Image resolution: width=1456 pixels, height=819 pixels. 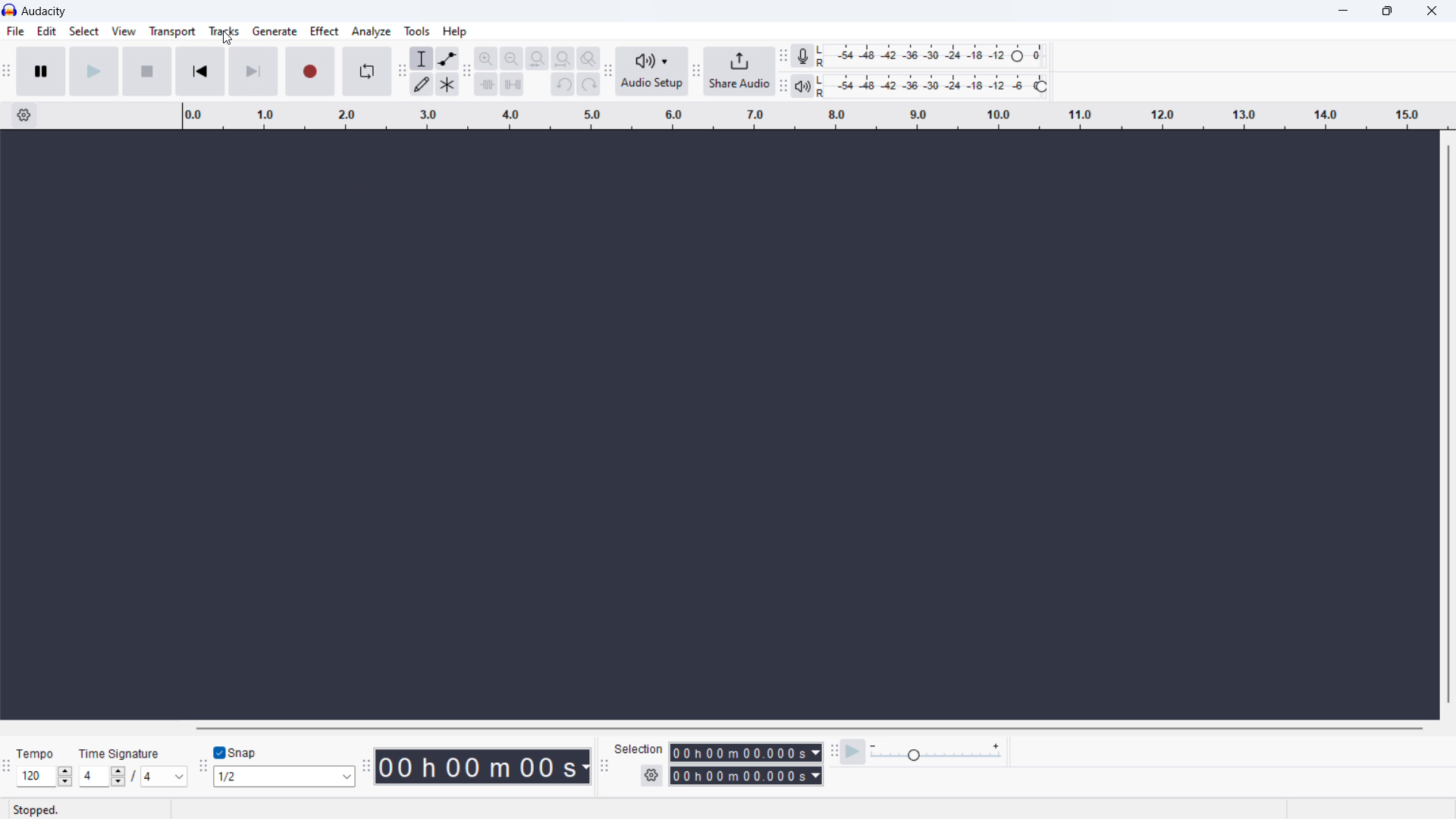 I want to click on zoom out, so click(x=510, y=58).